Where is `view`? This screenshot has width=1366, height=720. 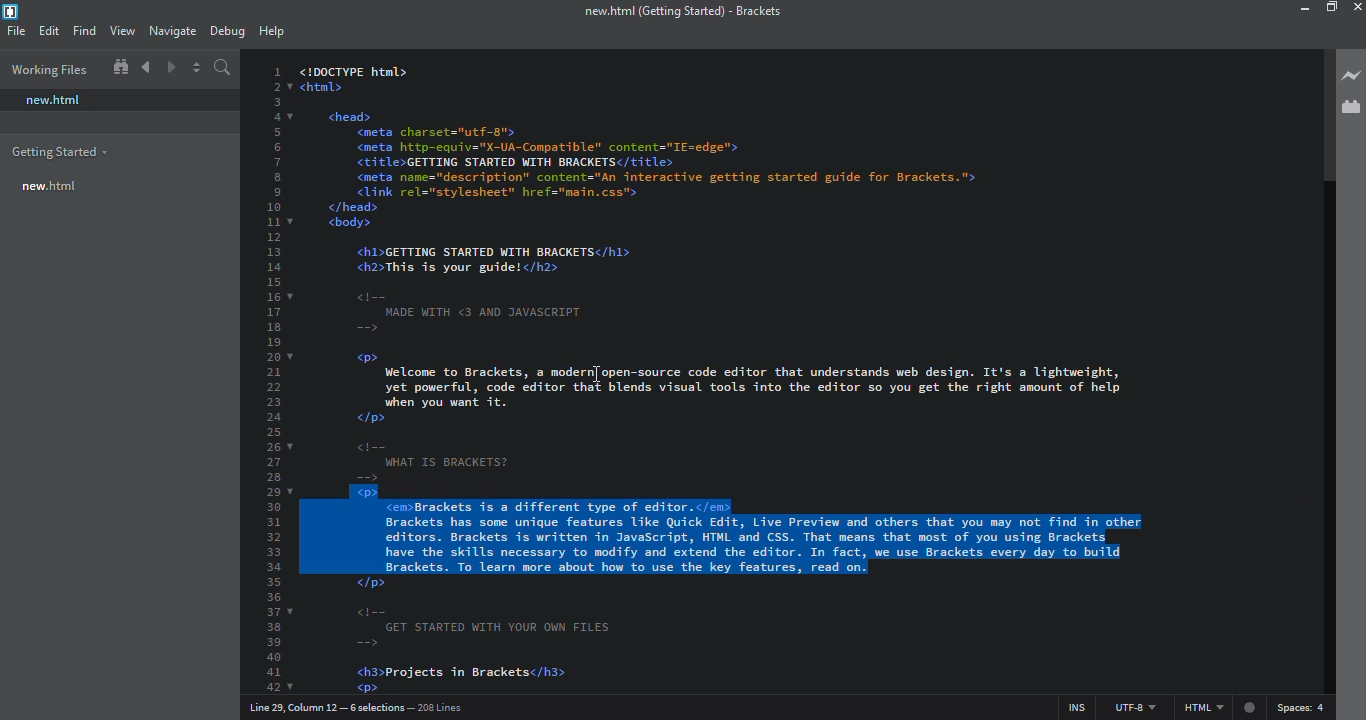
view is located at coordinates (124, 28).